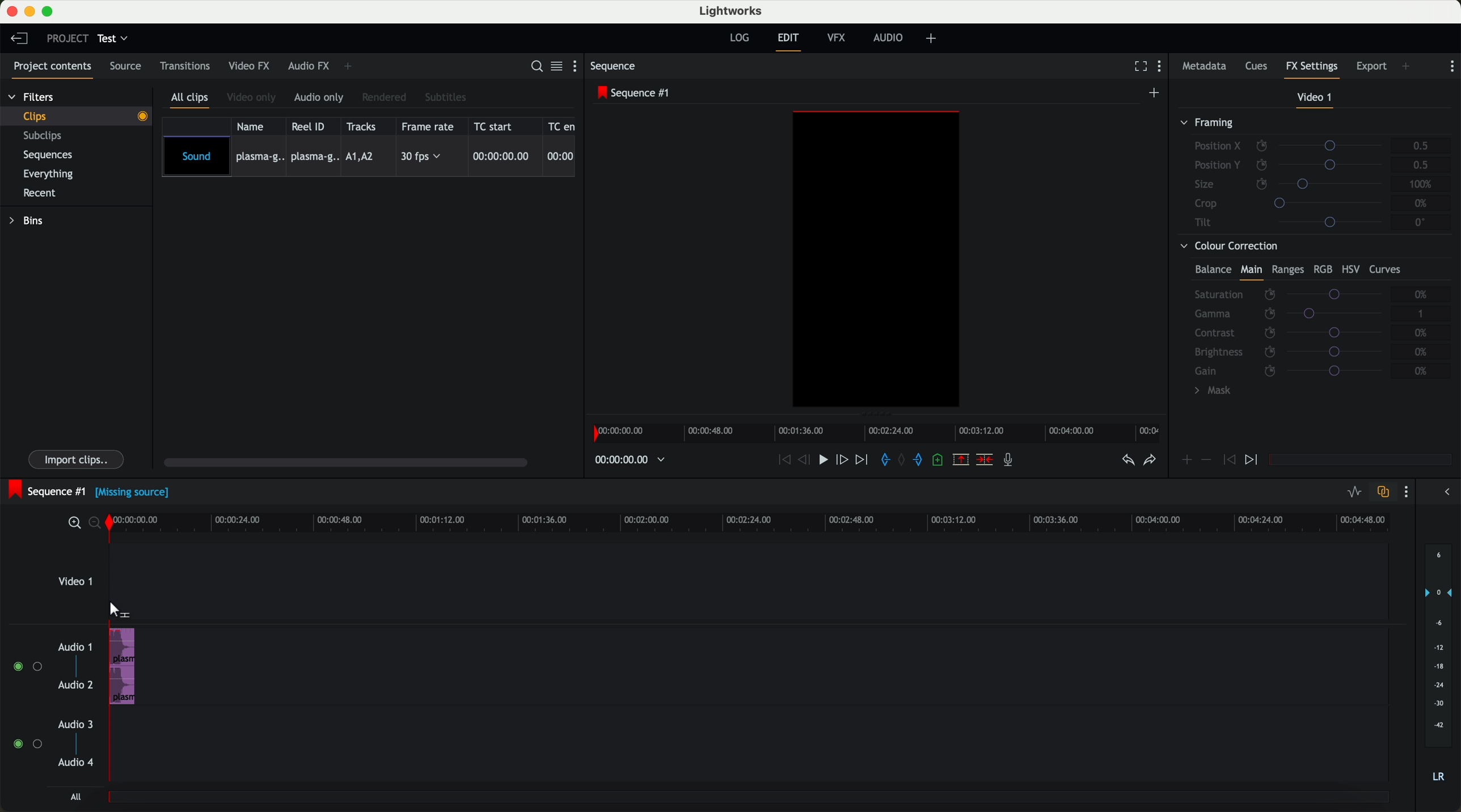 The image size is (1461, 812). I want to click on recent, so click(38, 192).